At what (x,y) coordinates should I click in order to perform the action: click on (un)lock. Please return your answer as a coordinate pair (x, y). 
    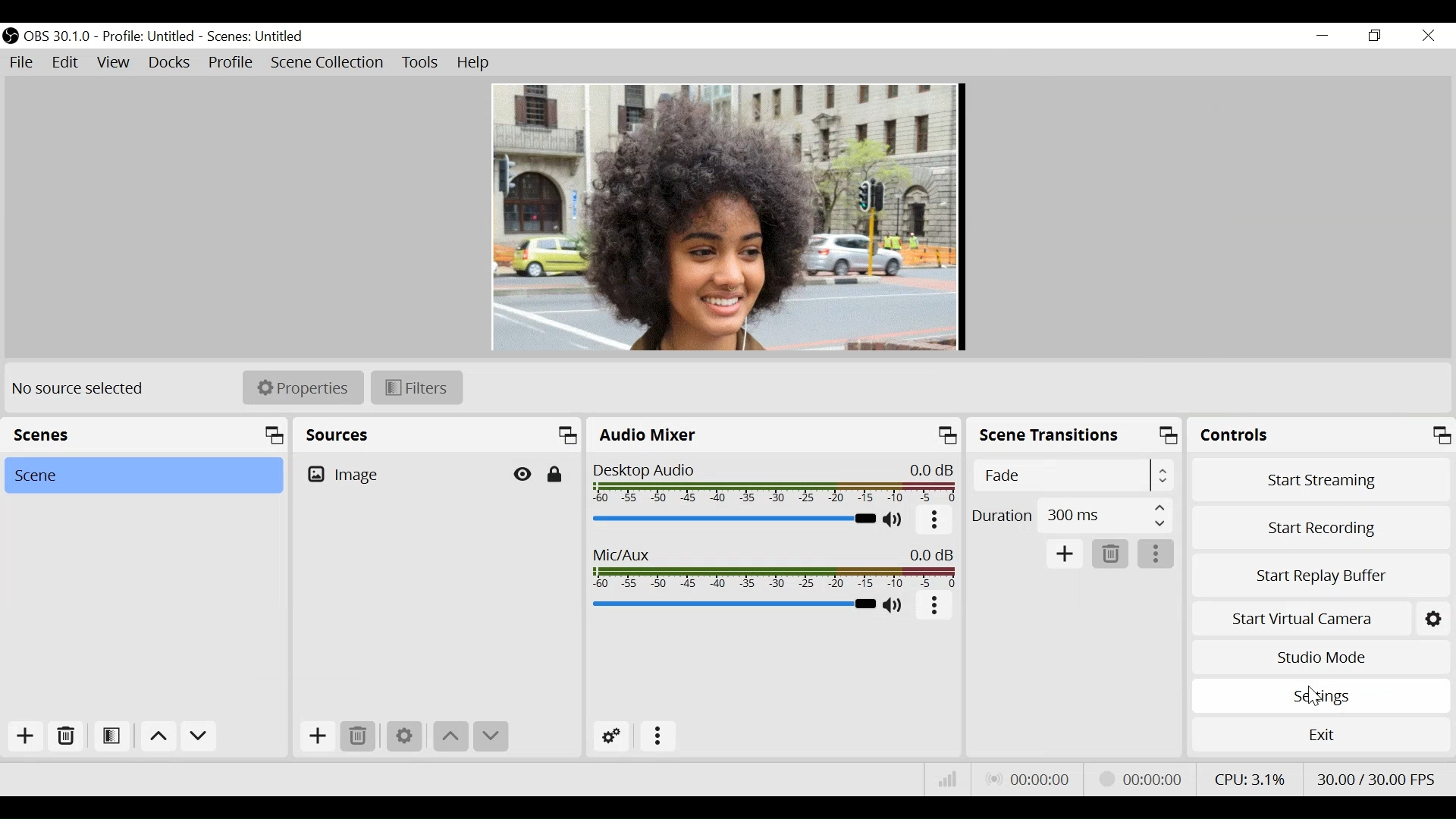
    Looking at the image, I should click on (556, 475).